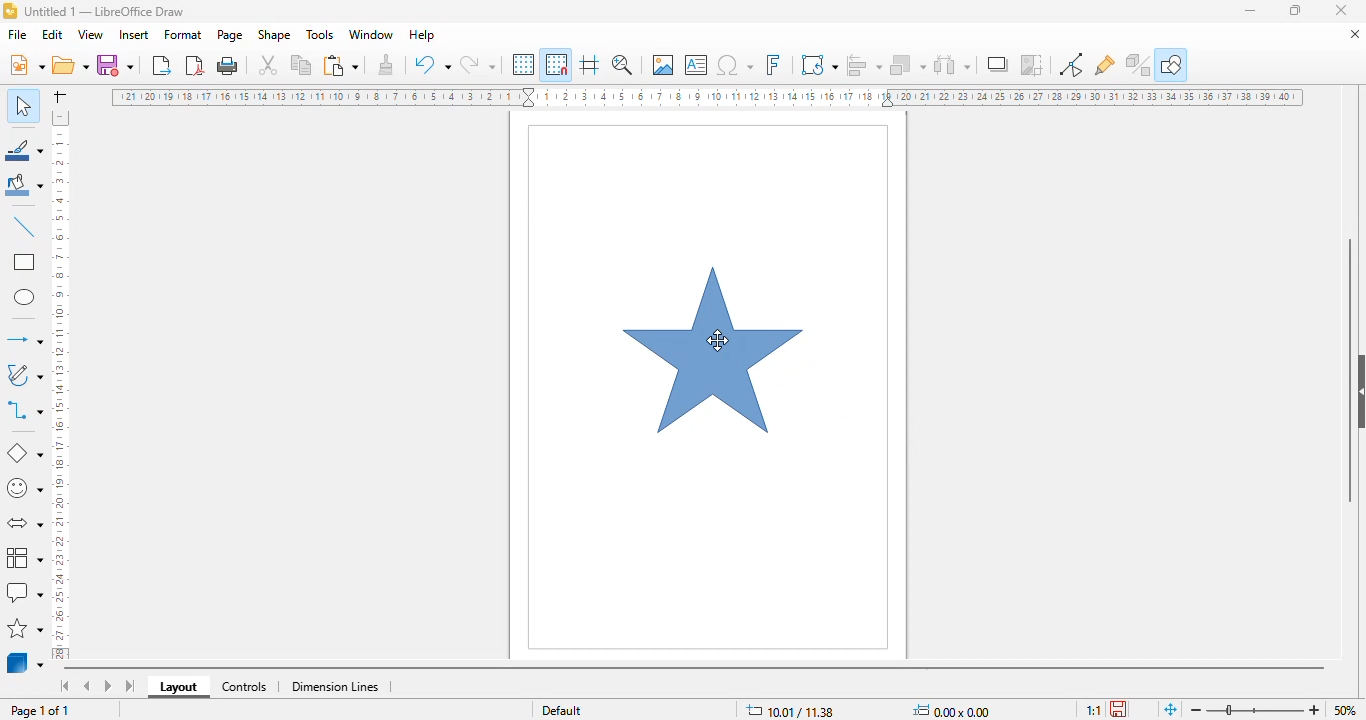 This screenshot has height=720, width=1366. Describe the element at coordinates (24, 412) in the screenshot. I see `connector` at that location.